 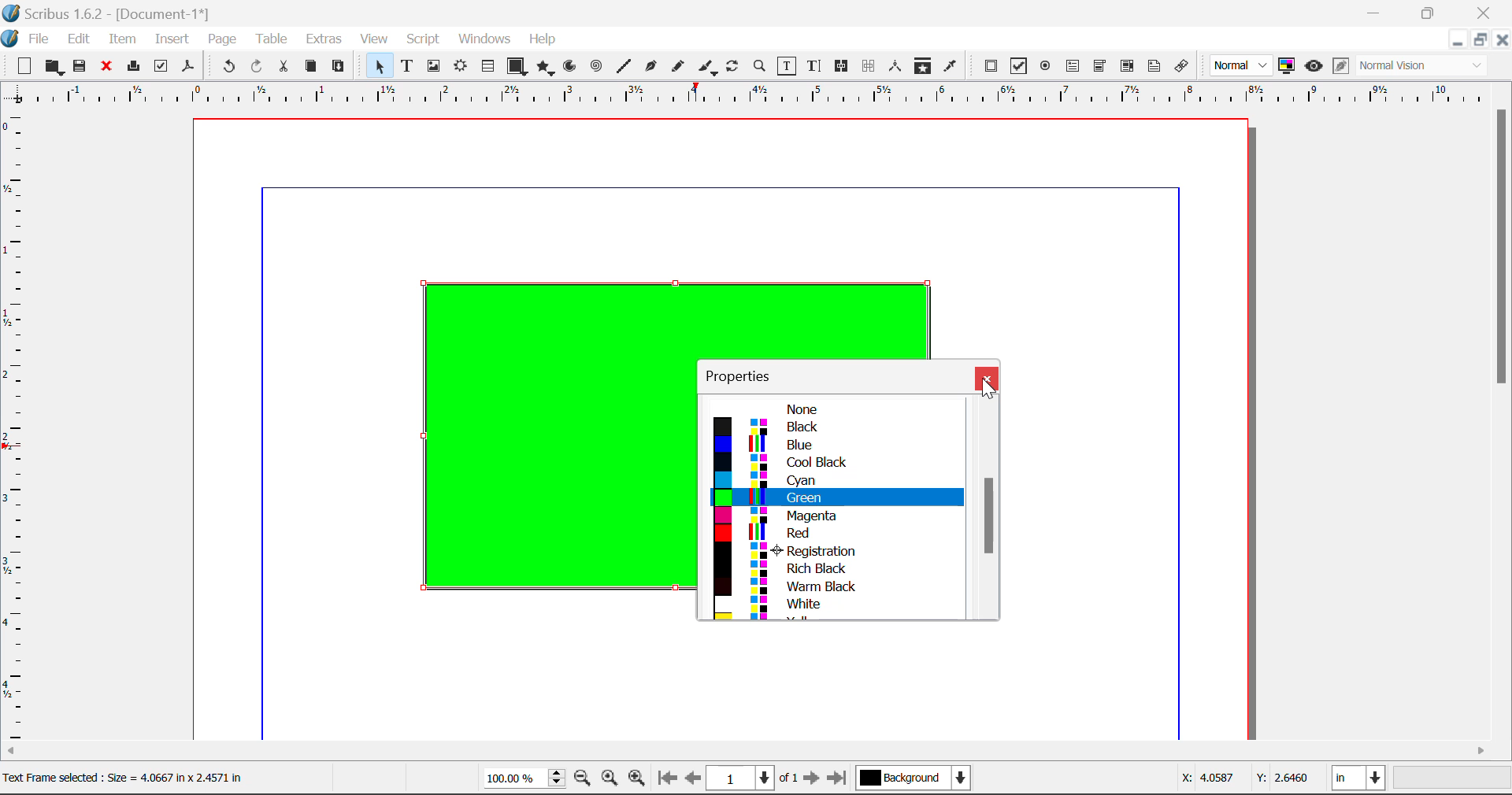 What do you see at coordinates (842, 66) in the screenshot?
I see `Link Frames` at bounding box center [842, 66].